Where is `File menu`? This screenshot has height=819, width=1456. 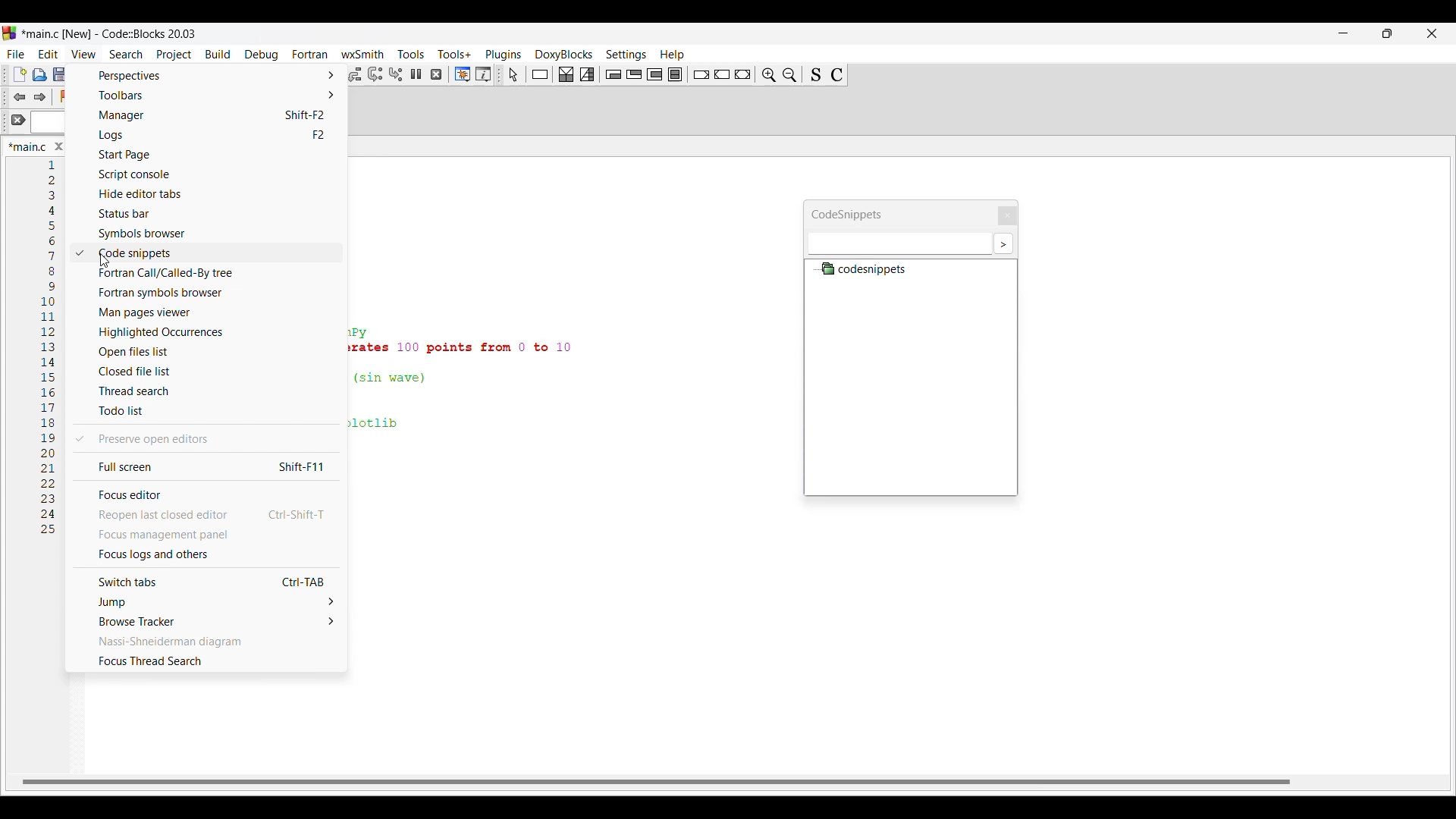
File menu is located at coordinates (16, 55).